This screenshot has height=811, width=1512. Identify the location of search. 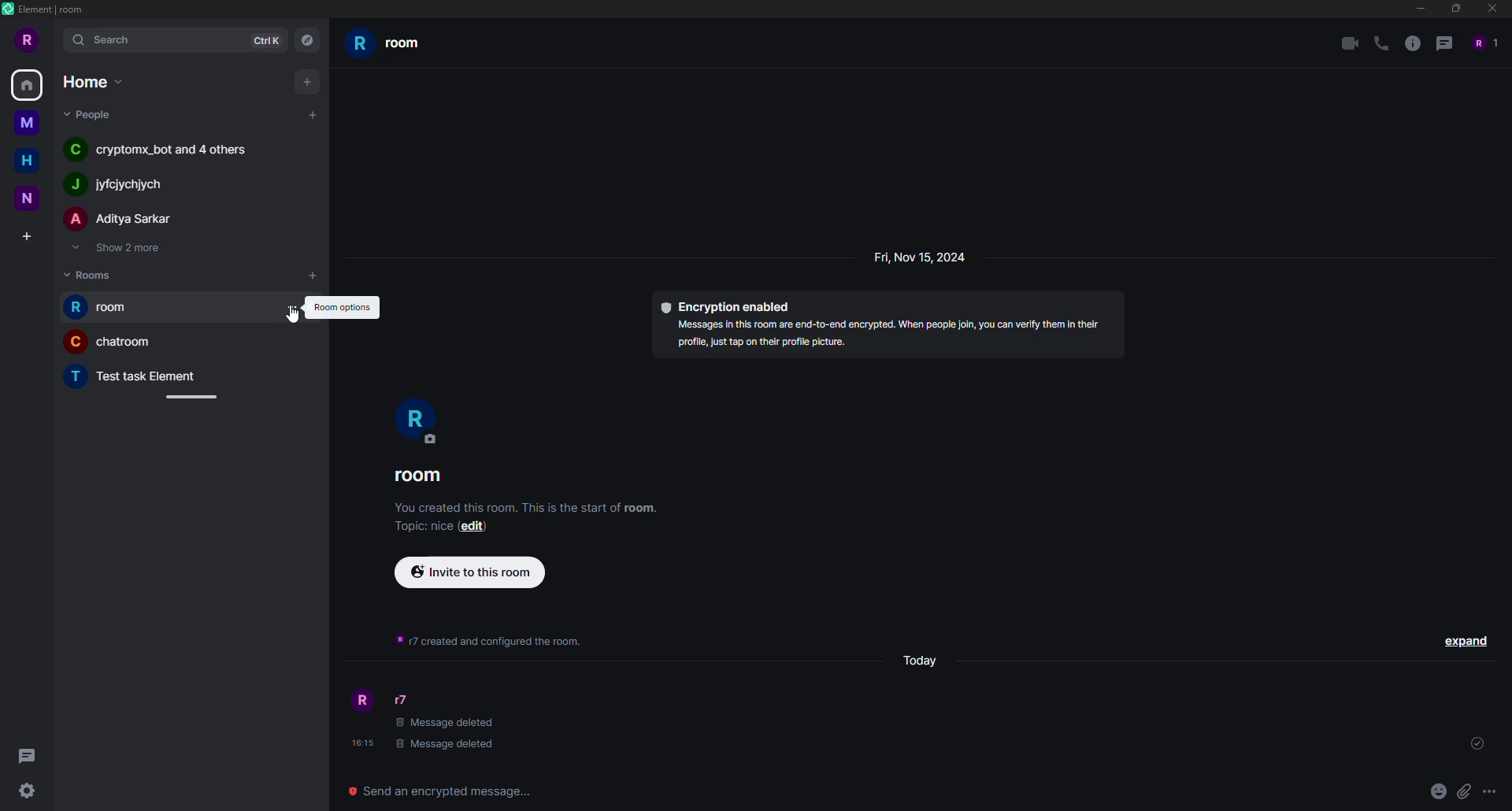
(105, 41).